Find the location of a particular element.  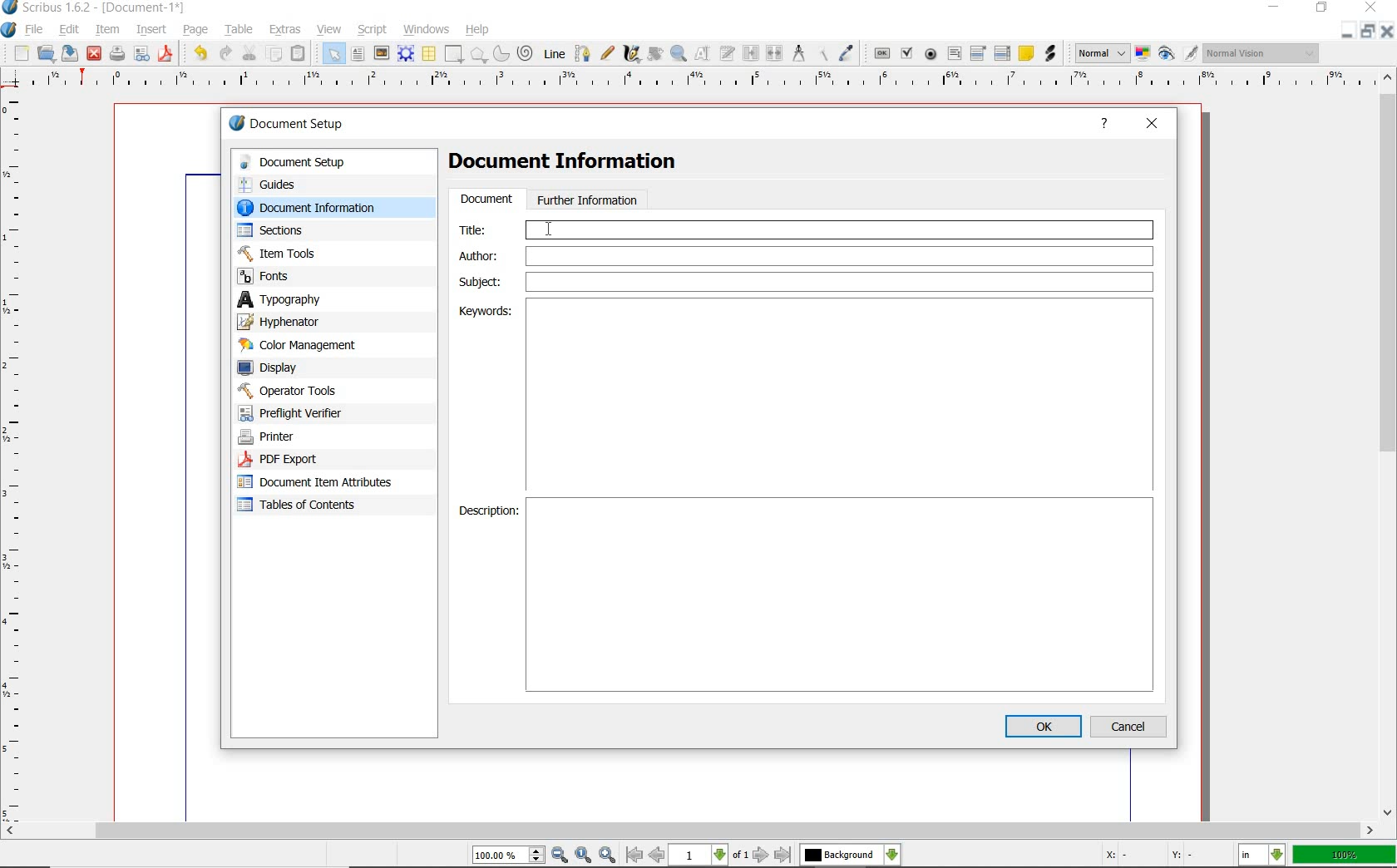

close is located at coordinates (95, 55).